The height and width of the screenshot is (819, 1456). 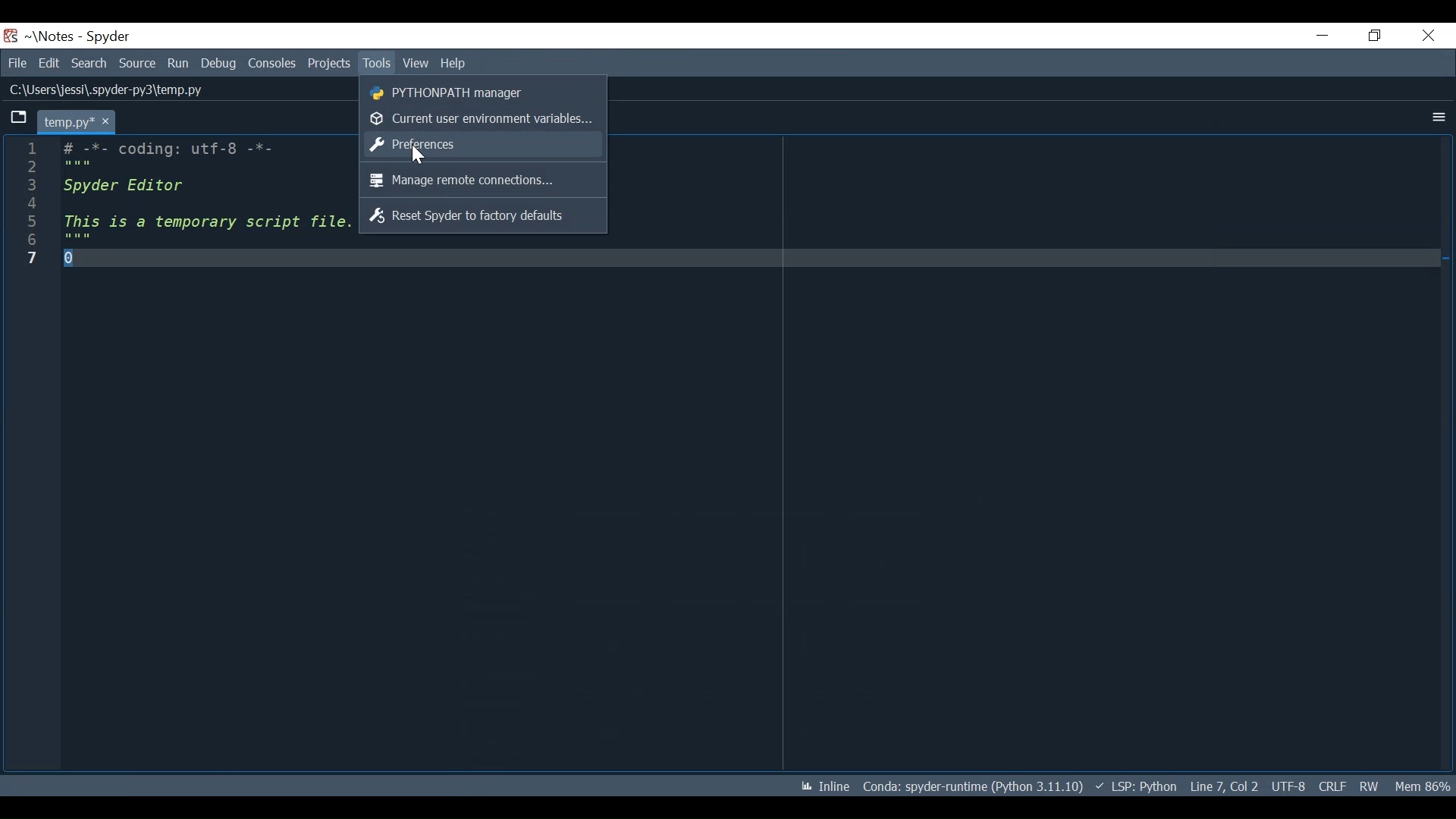 I want to click on Browse Tab, so click(x=17, y=118).